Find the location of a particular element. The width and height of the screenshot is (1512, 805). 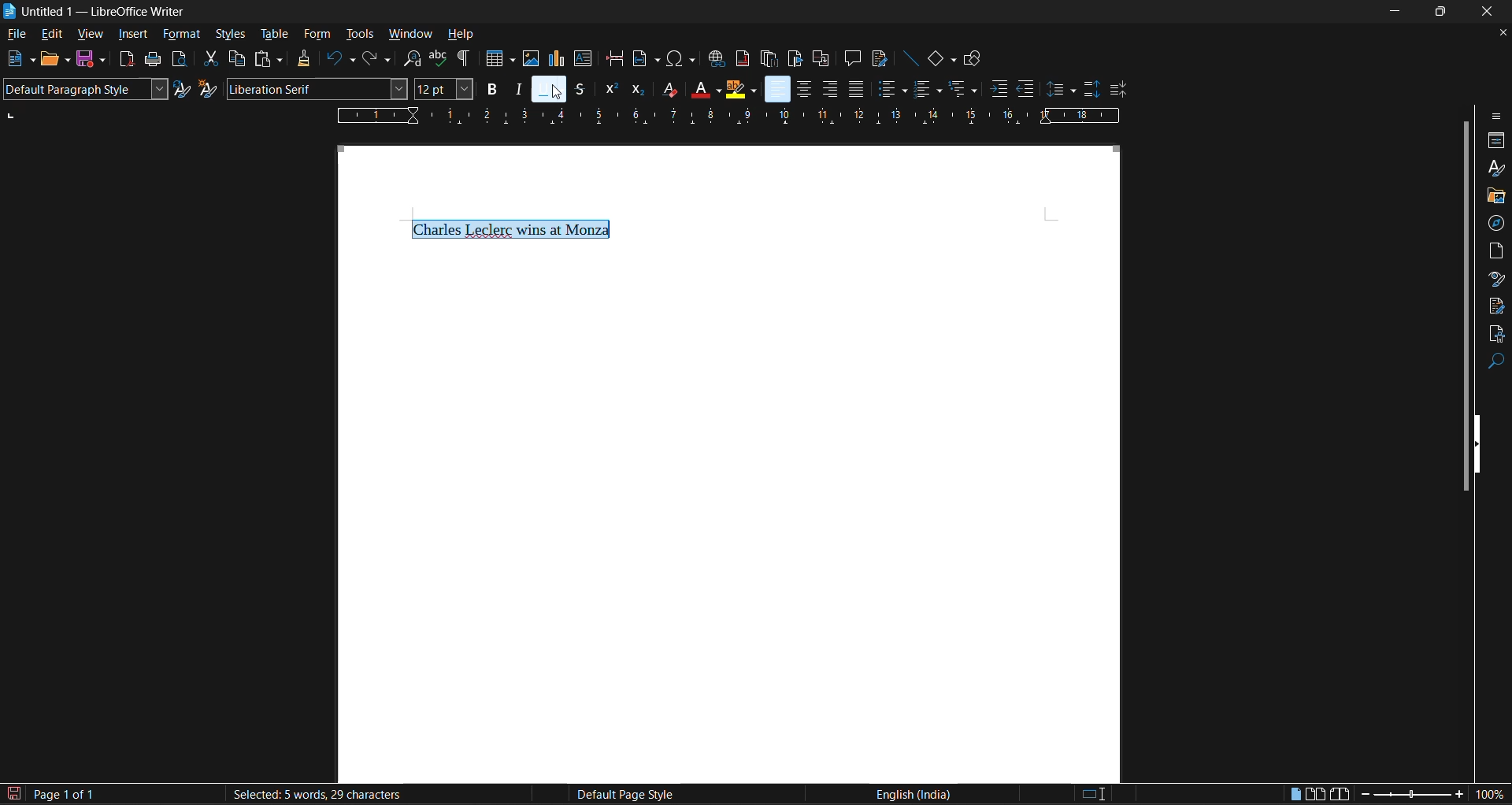

zoom out is located at coordinates (1361, 796).